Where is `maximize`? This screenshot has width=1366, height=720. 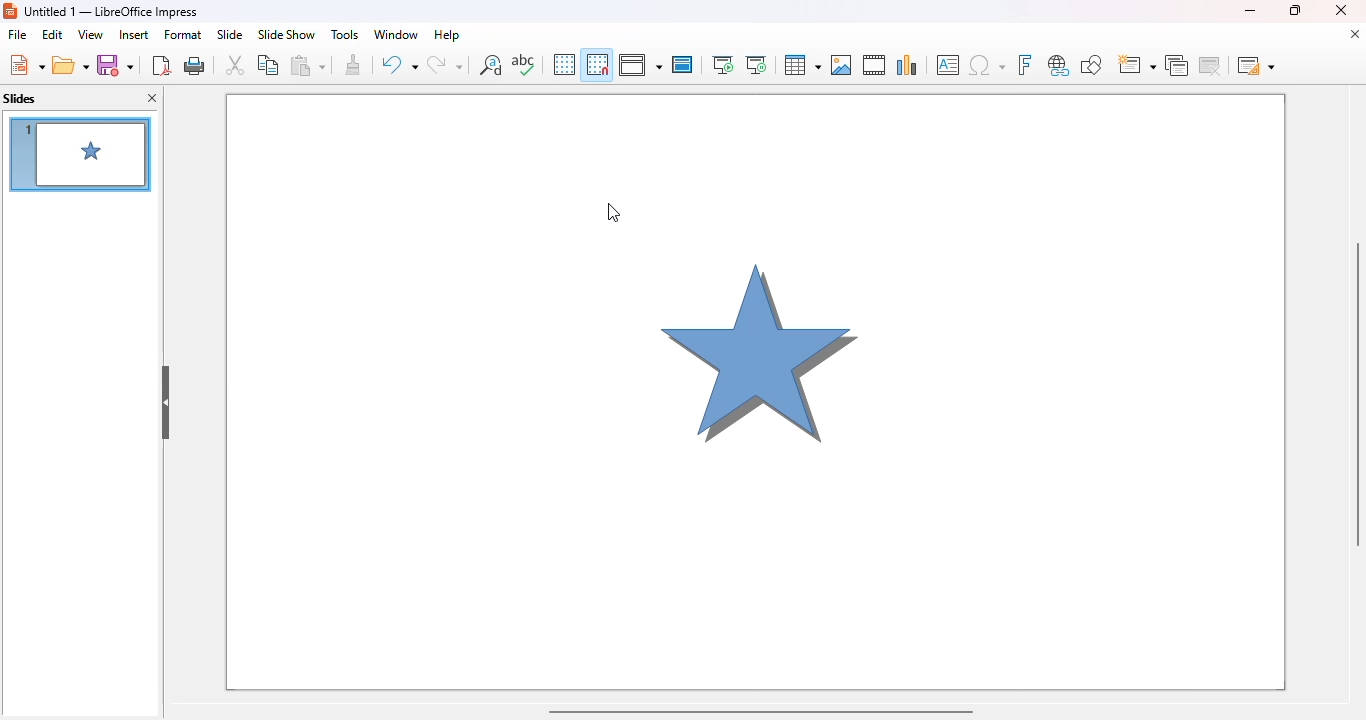 maximize is located at coordinates (1296, 10).